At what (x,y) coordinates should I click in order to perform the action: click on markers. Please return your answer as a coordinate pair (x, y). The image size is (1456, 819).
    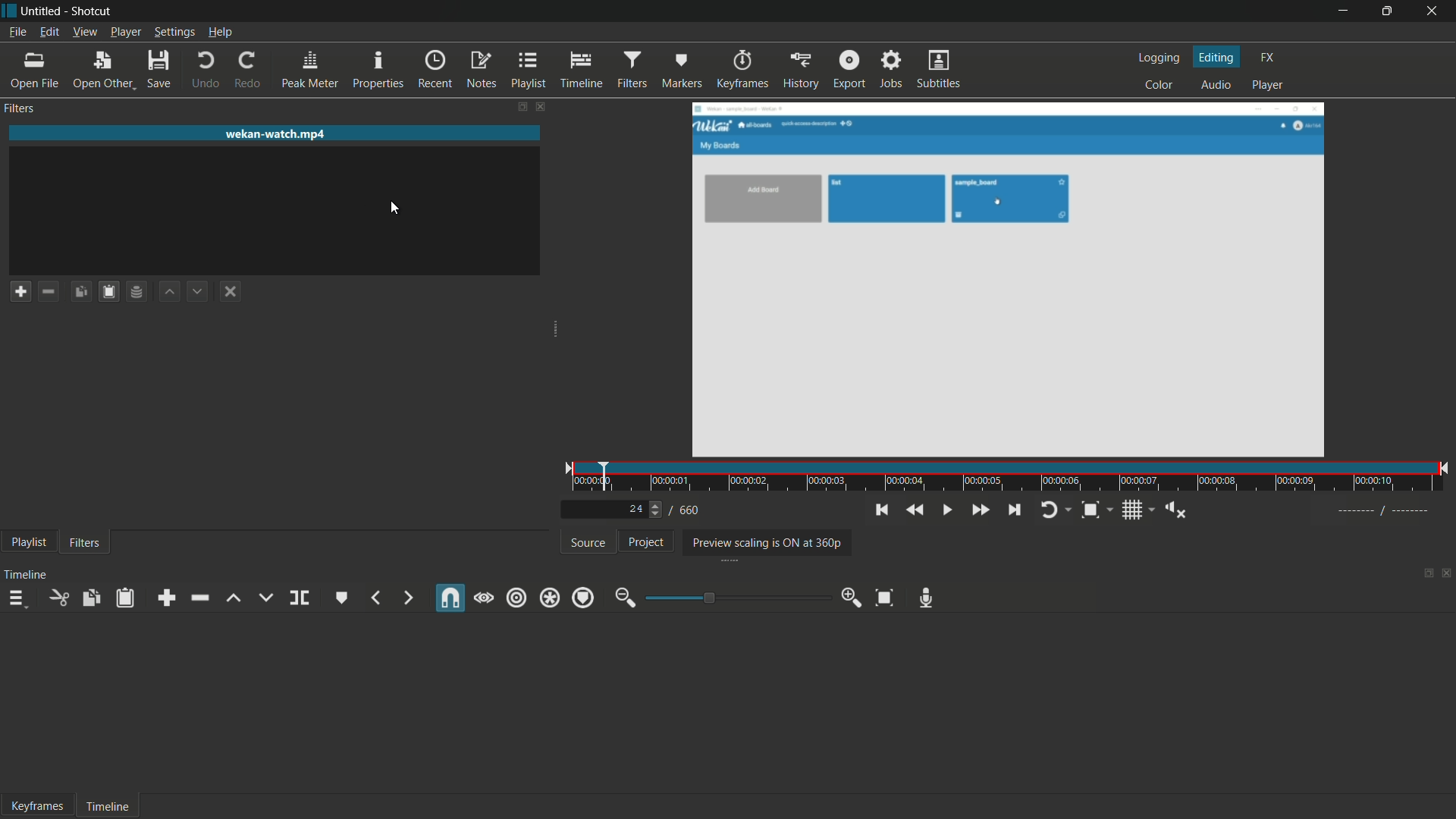
    Looking at the image, I should click on (683, 69).